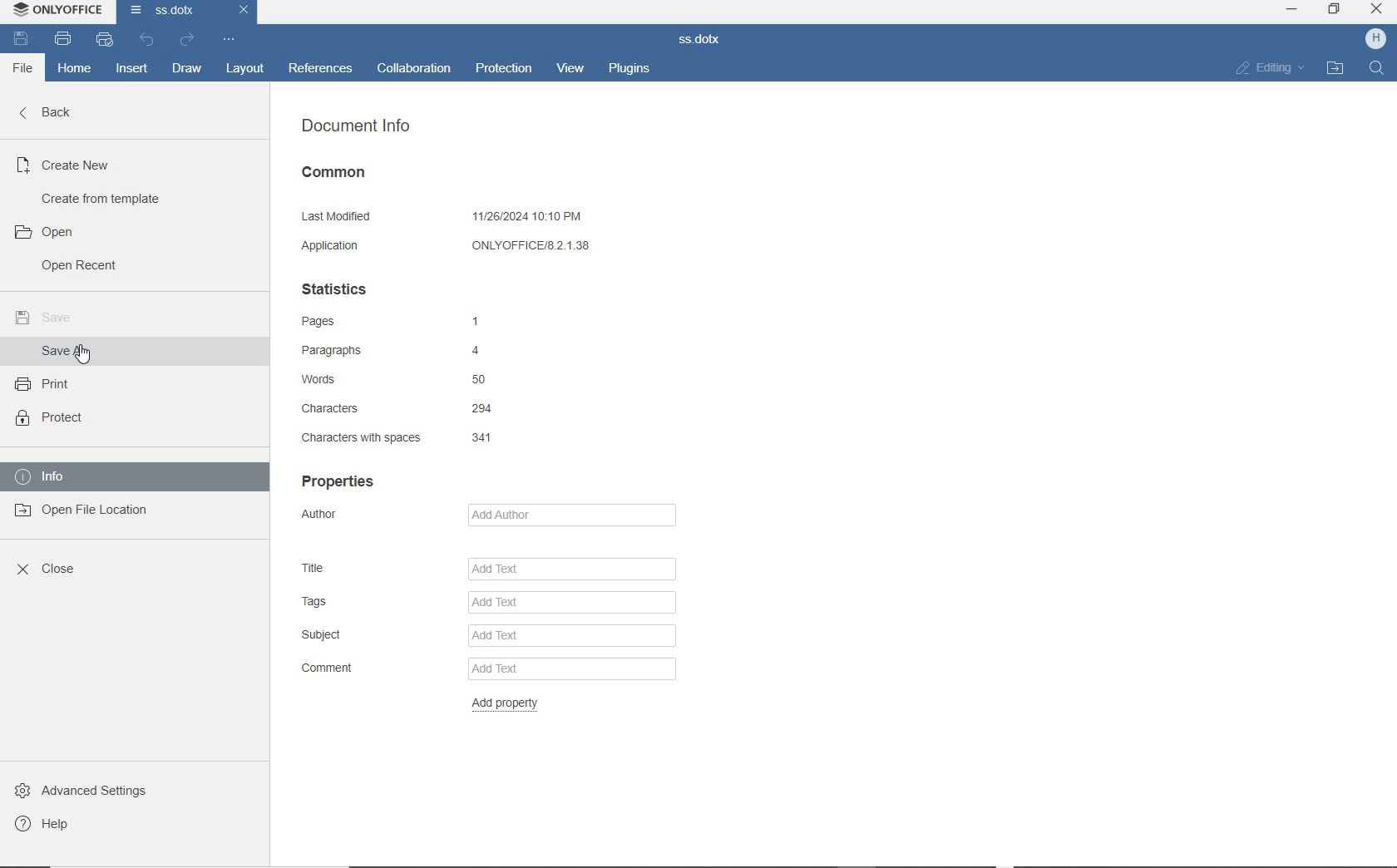 The image size is (1397, 868). Describe the element at coordinates (629, 69) in the screenshot. I see `PLUGINS` at that location.